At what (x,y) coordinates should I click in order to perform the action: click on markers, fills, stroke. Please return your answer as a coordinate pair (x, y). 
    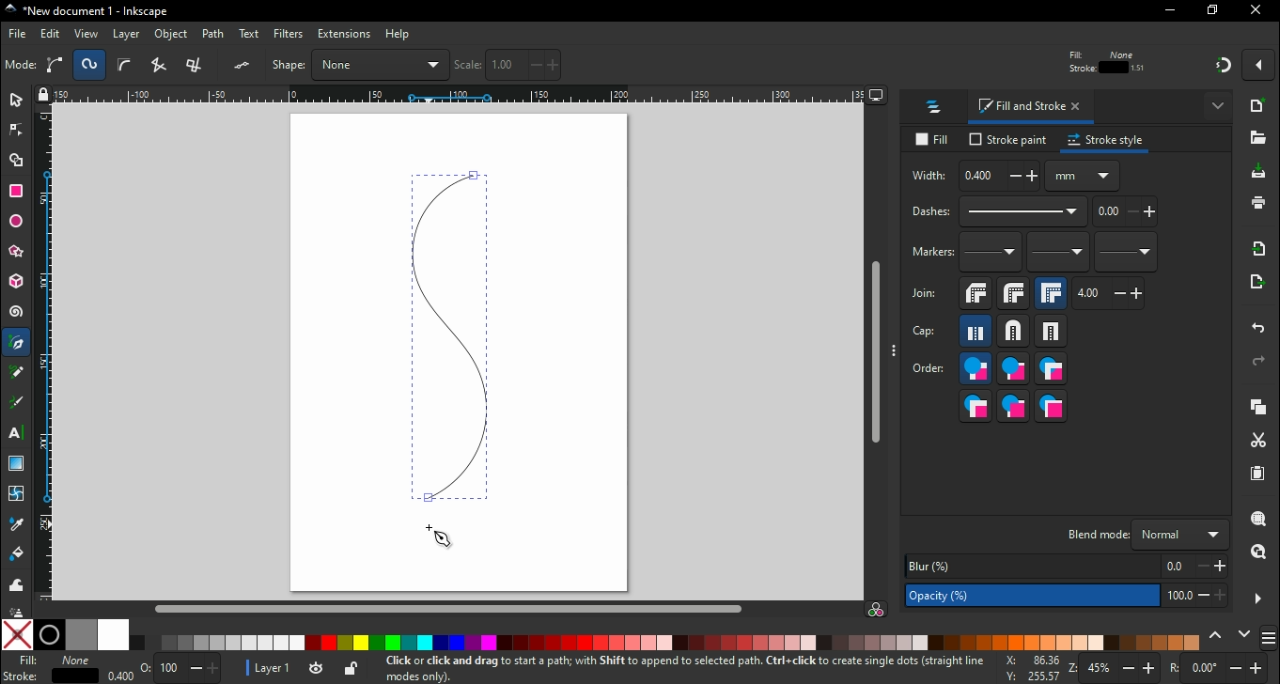
    Looking at the image, I should click on (976, 408).